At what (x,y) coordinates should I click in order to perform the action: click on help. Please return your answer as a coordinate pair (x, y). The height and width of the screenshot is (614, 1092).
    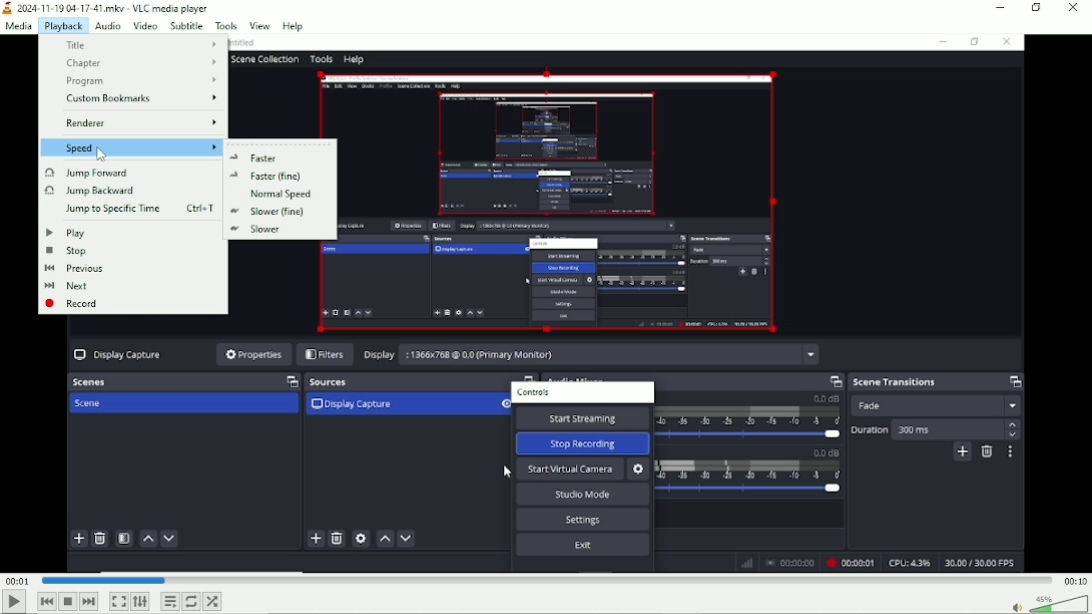
    Looking at the image, I should click on (293, 26).